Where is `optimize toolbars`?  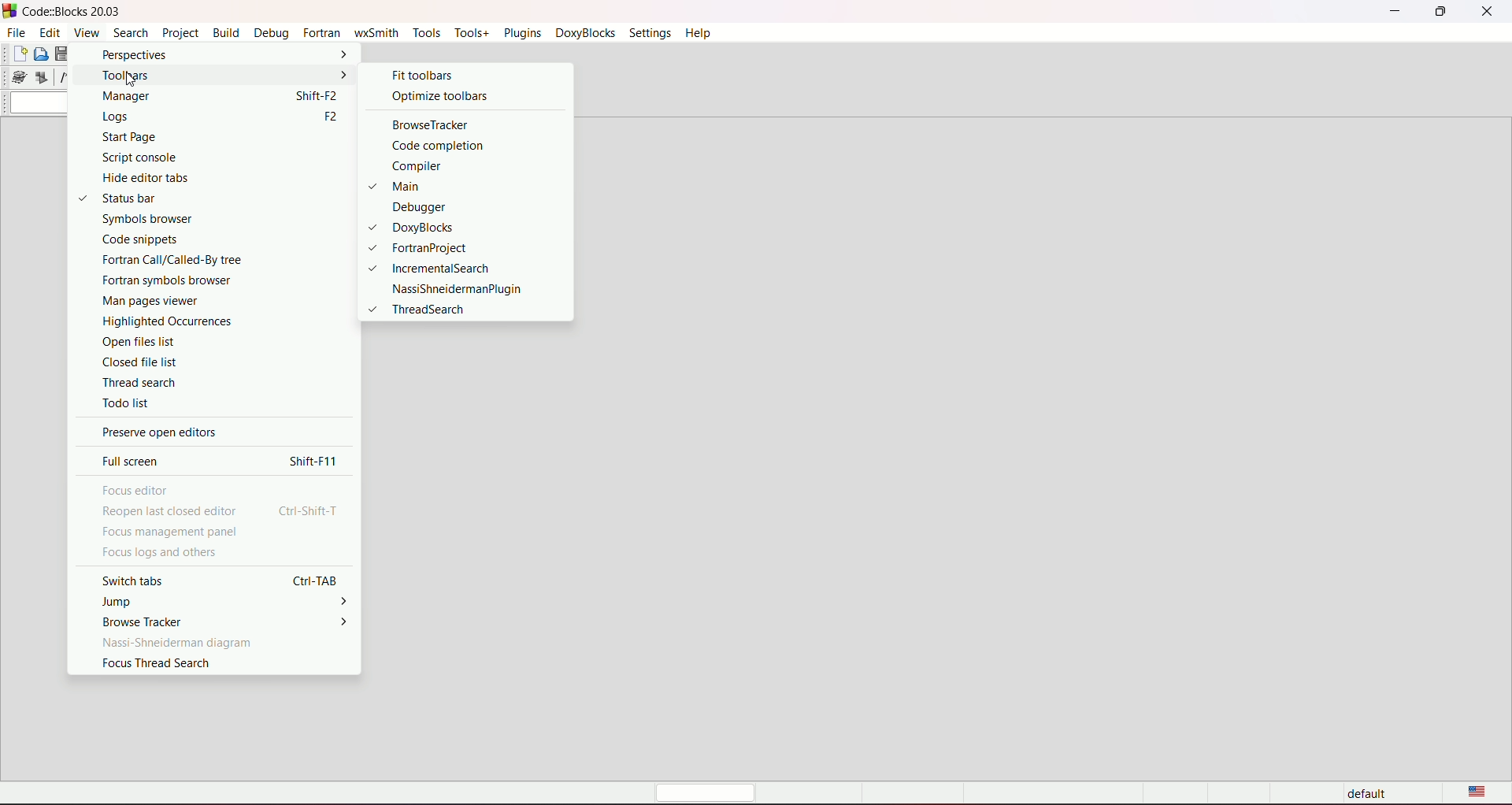 optimize toolbars is located at coordinates (439, 95).